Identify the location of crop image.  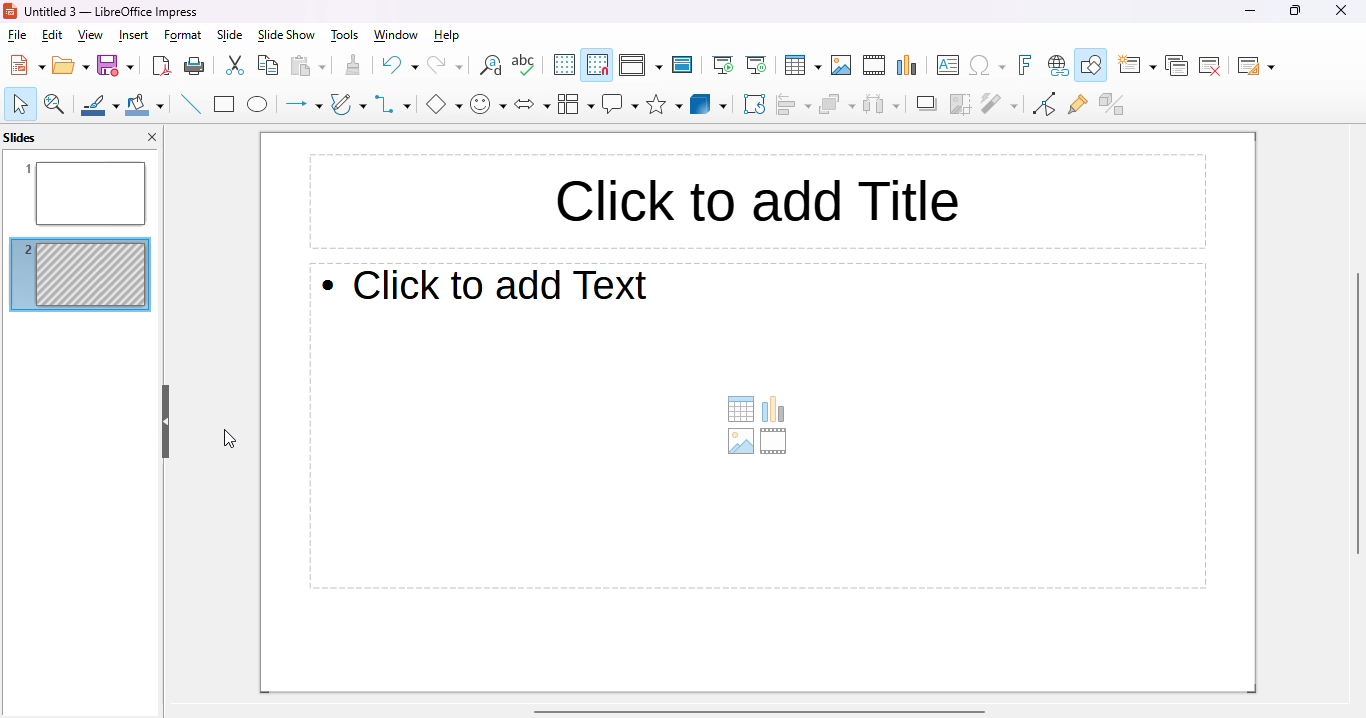
(960, 104).